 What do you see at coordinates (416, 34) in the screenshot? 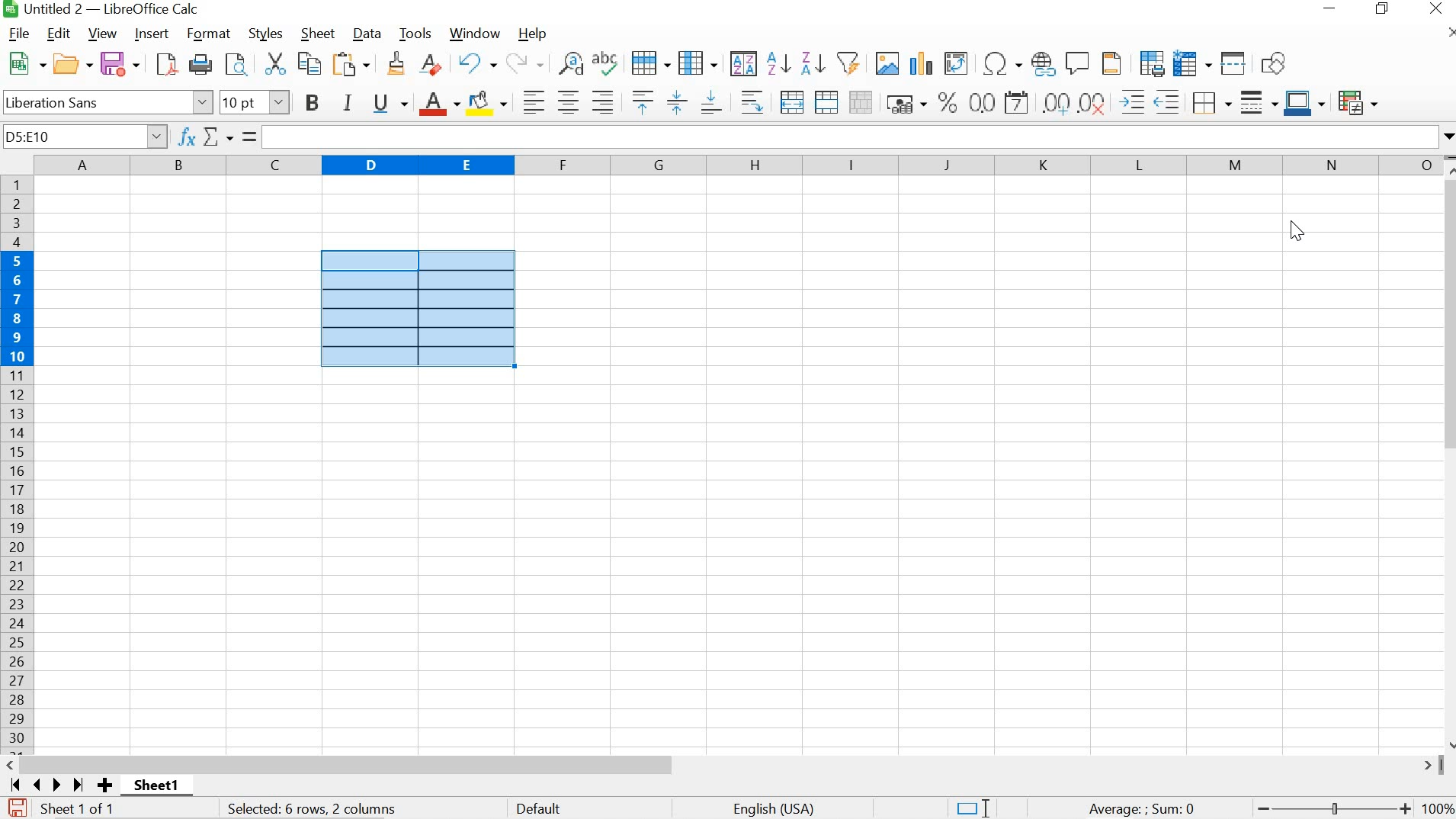
I see `TOOLS` at bounding box center [416, 34].